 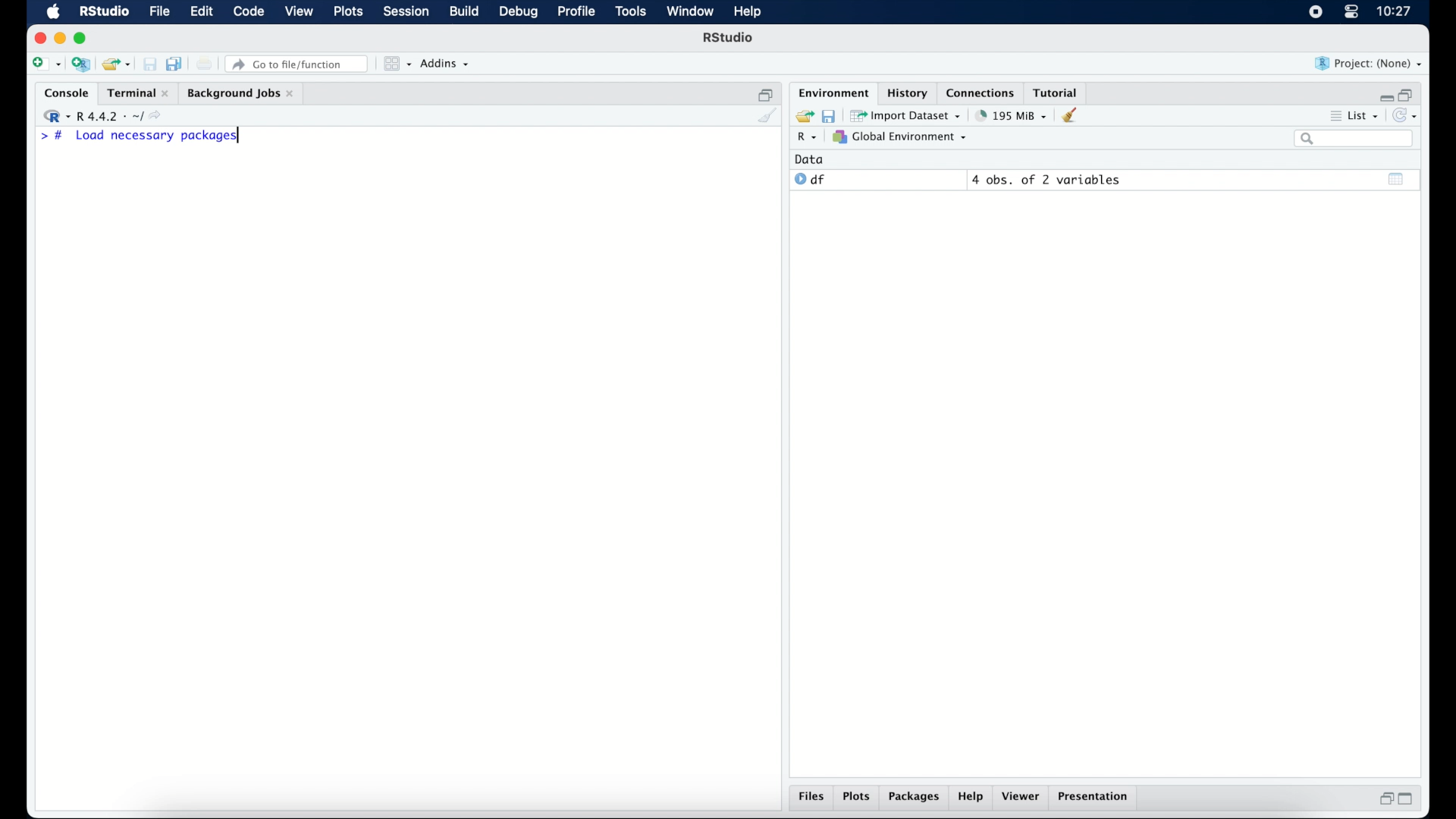 I want to click on clear workspace, so click(x=1075, y=116).